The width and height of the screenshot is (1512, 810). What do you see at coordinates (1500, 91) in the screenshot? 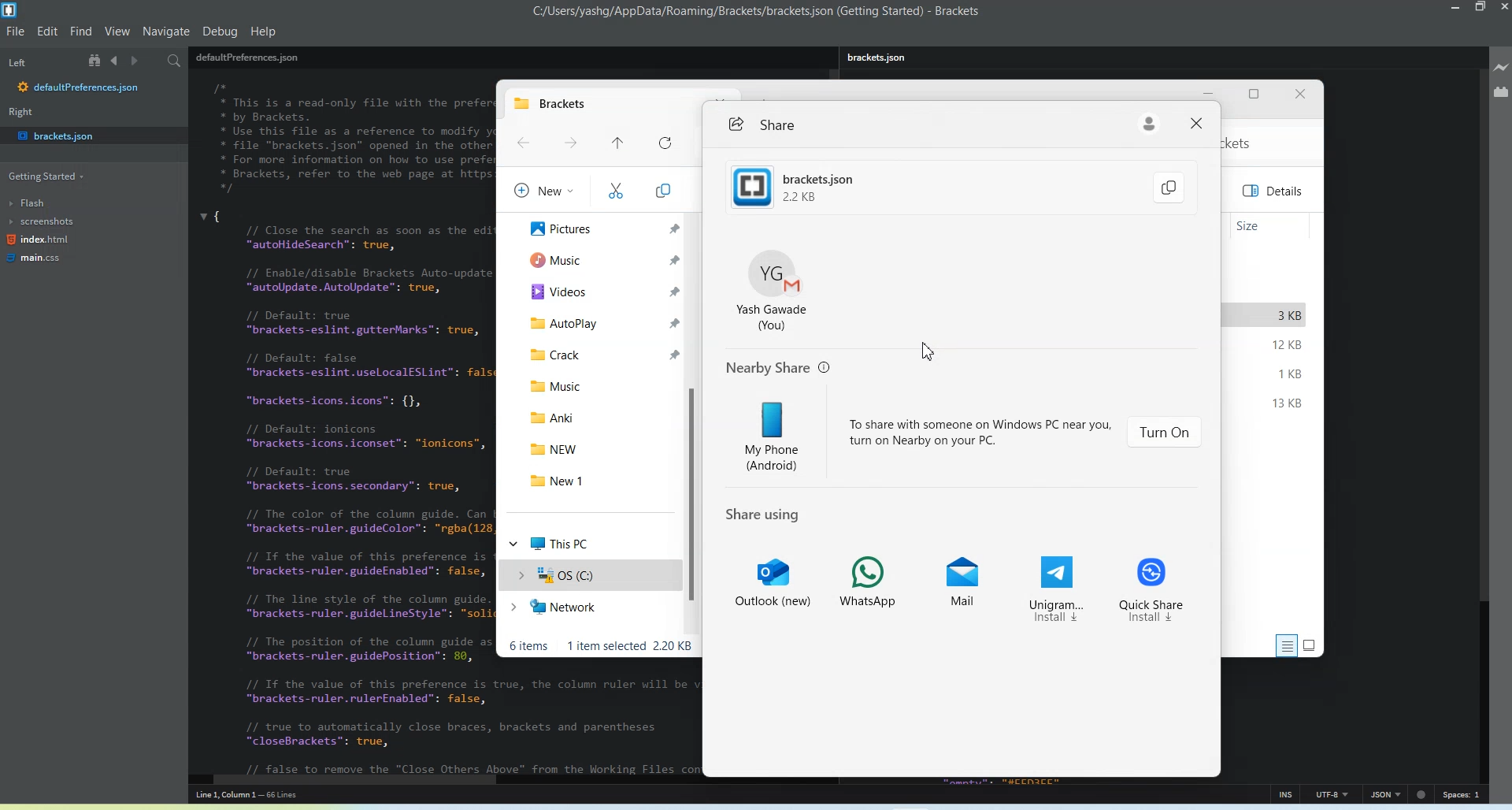
I see `Extension Manager` at bounding box center [1500, 91].